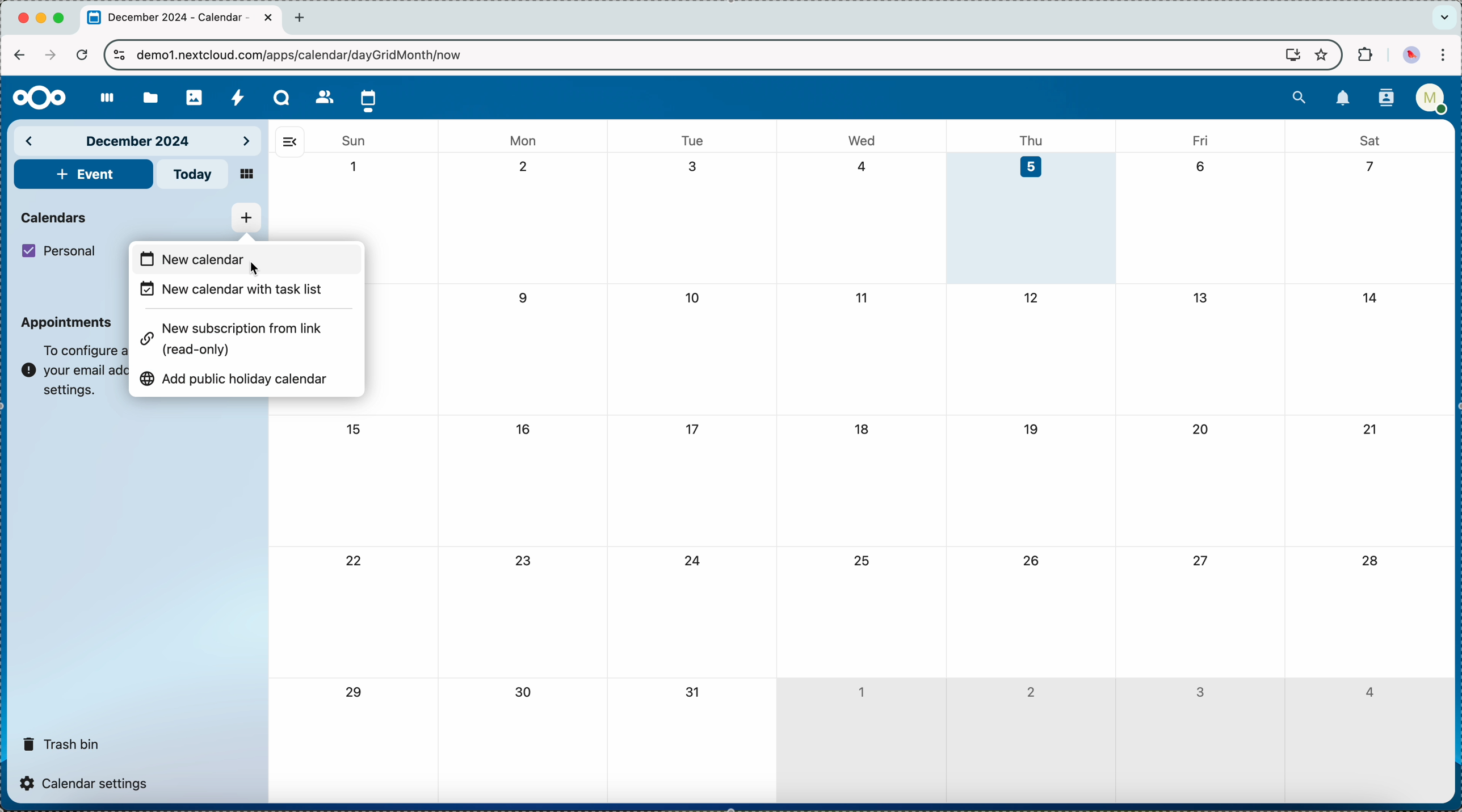 This screenshot has width=1462, height=812. Describe the element at coordinates (1320, 54) in the screenshot. I see `favorites` at that location.